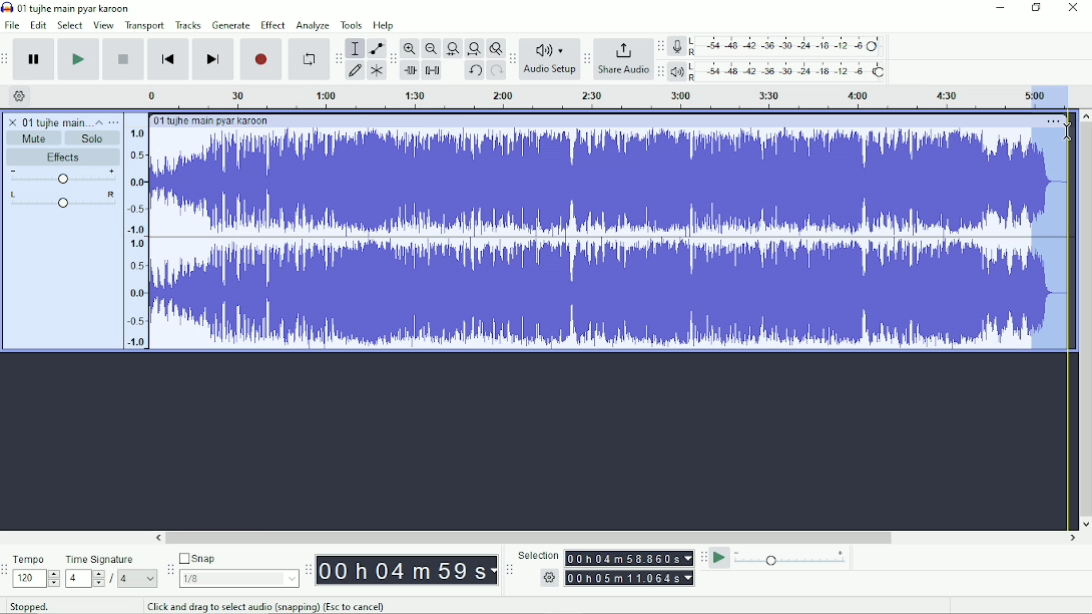 Image resolution: width=1092 pixels, height=614 pixels. I want to click on 01 tujhe main pyar karoon, so click(56, 121).